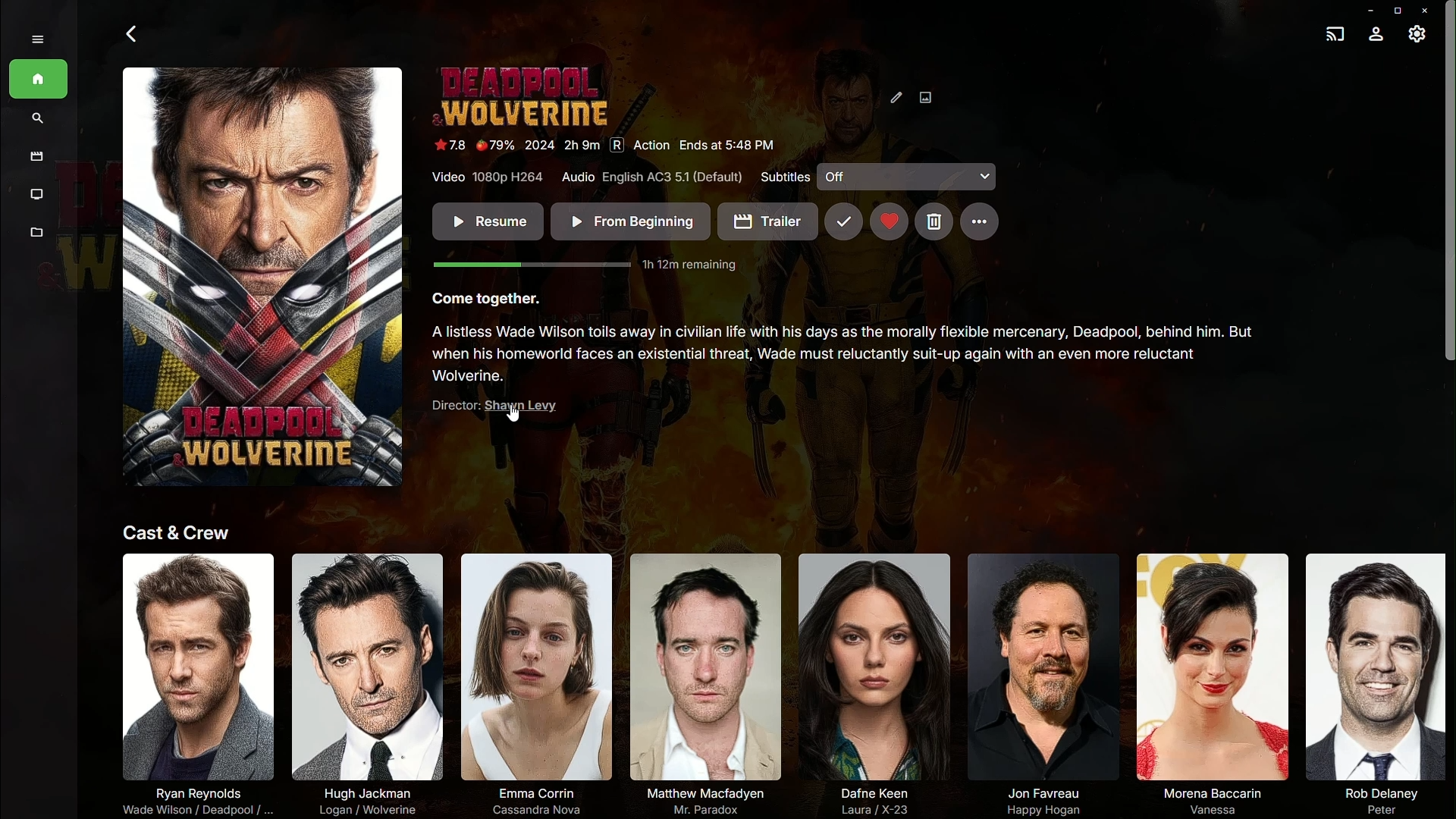 The width and height of the screenshot is (1456, 819). I want to click on Delete, so click(931, 220).